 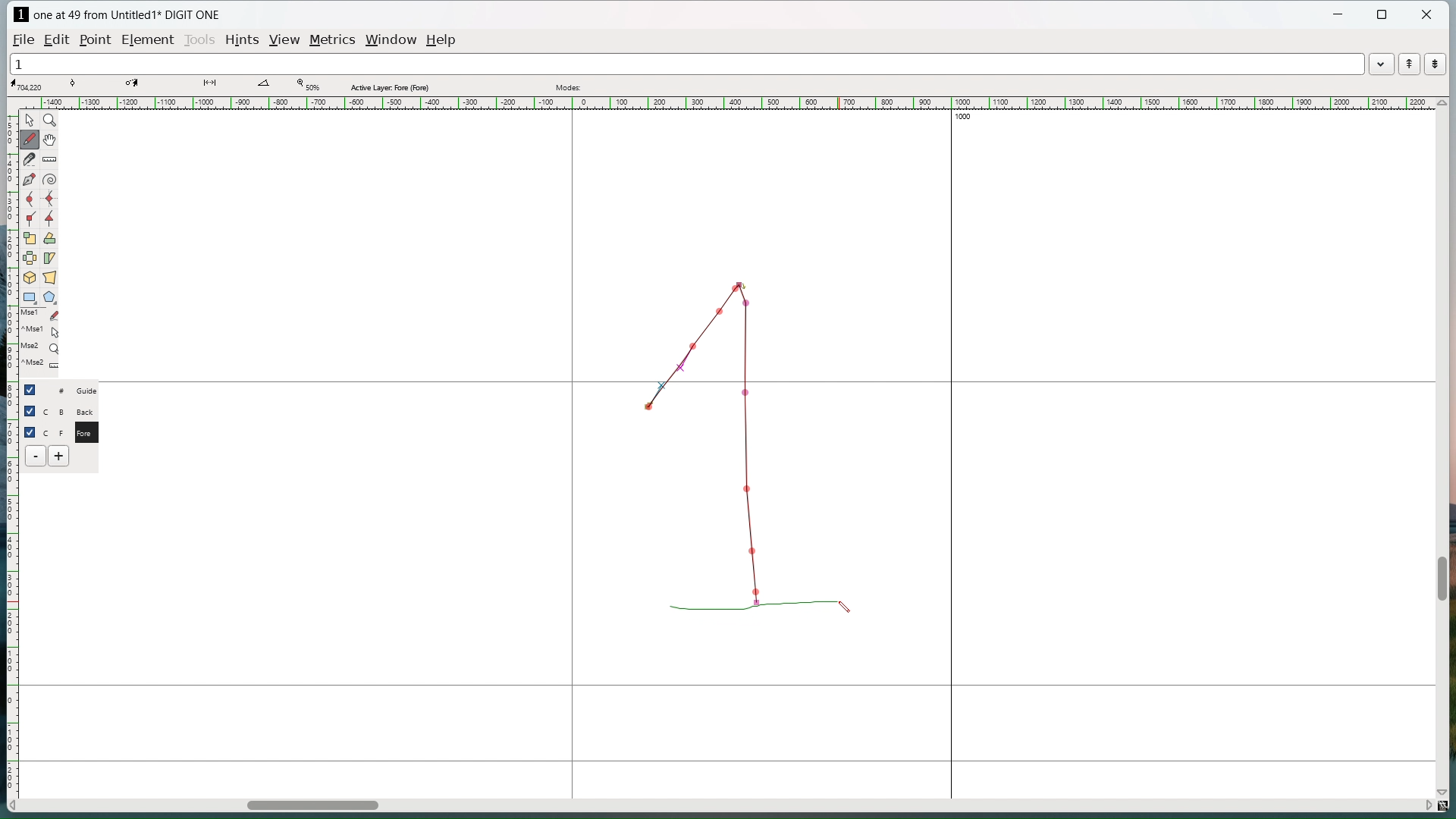 I want to click on maximize, so click(x=1383, y=15).